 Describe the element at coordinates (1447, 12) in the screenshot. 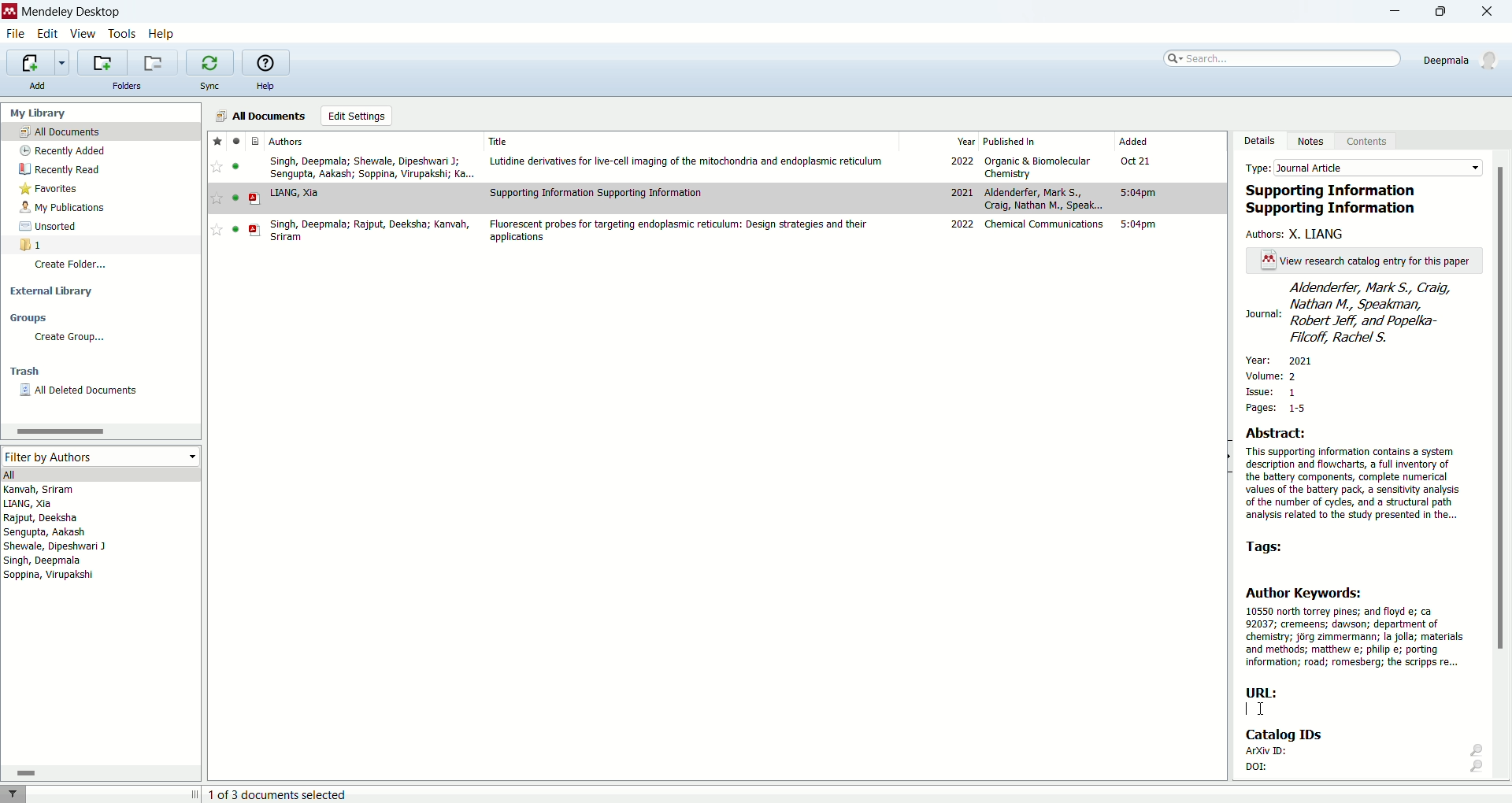

I see `maximize` at that location.